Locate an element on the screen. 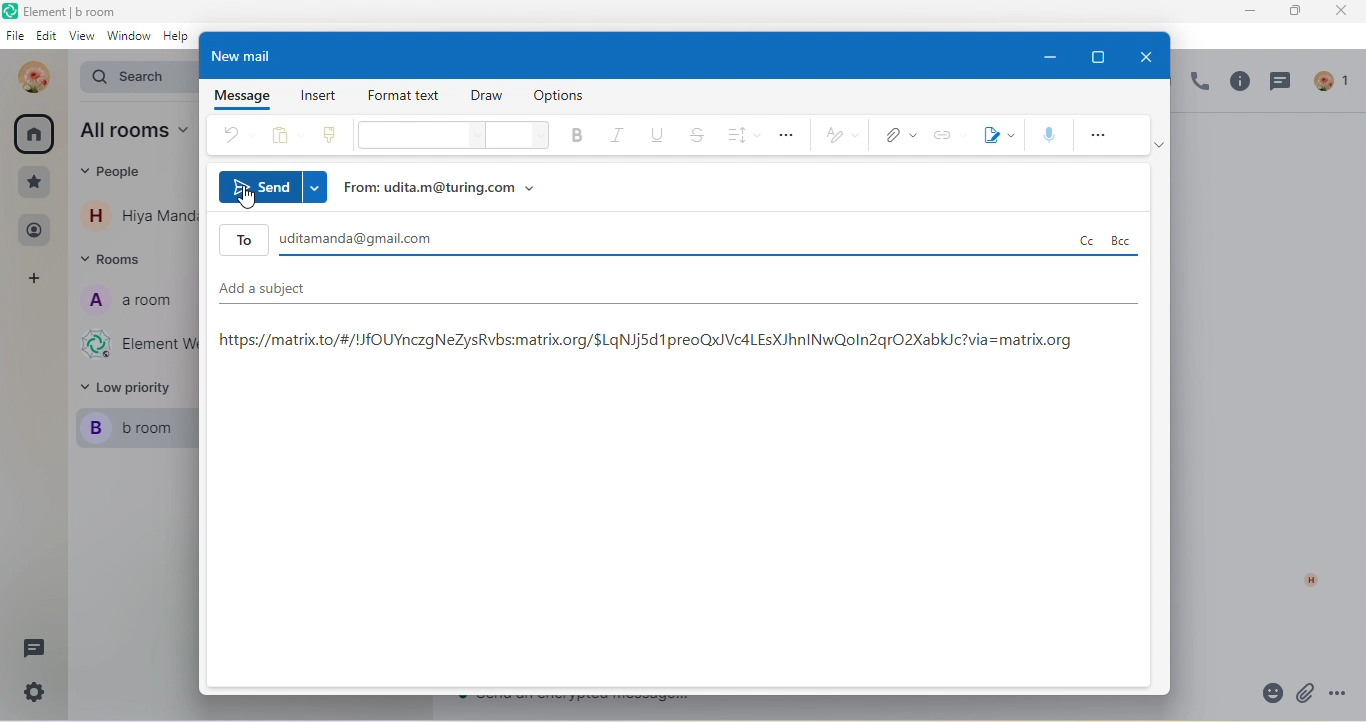 The image size is (1366, 722). add a subject is located at coordinates (672, 296).